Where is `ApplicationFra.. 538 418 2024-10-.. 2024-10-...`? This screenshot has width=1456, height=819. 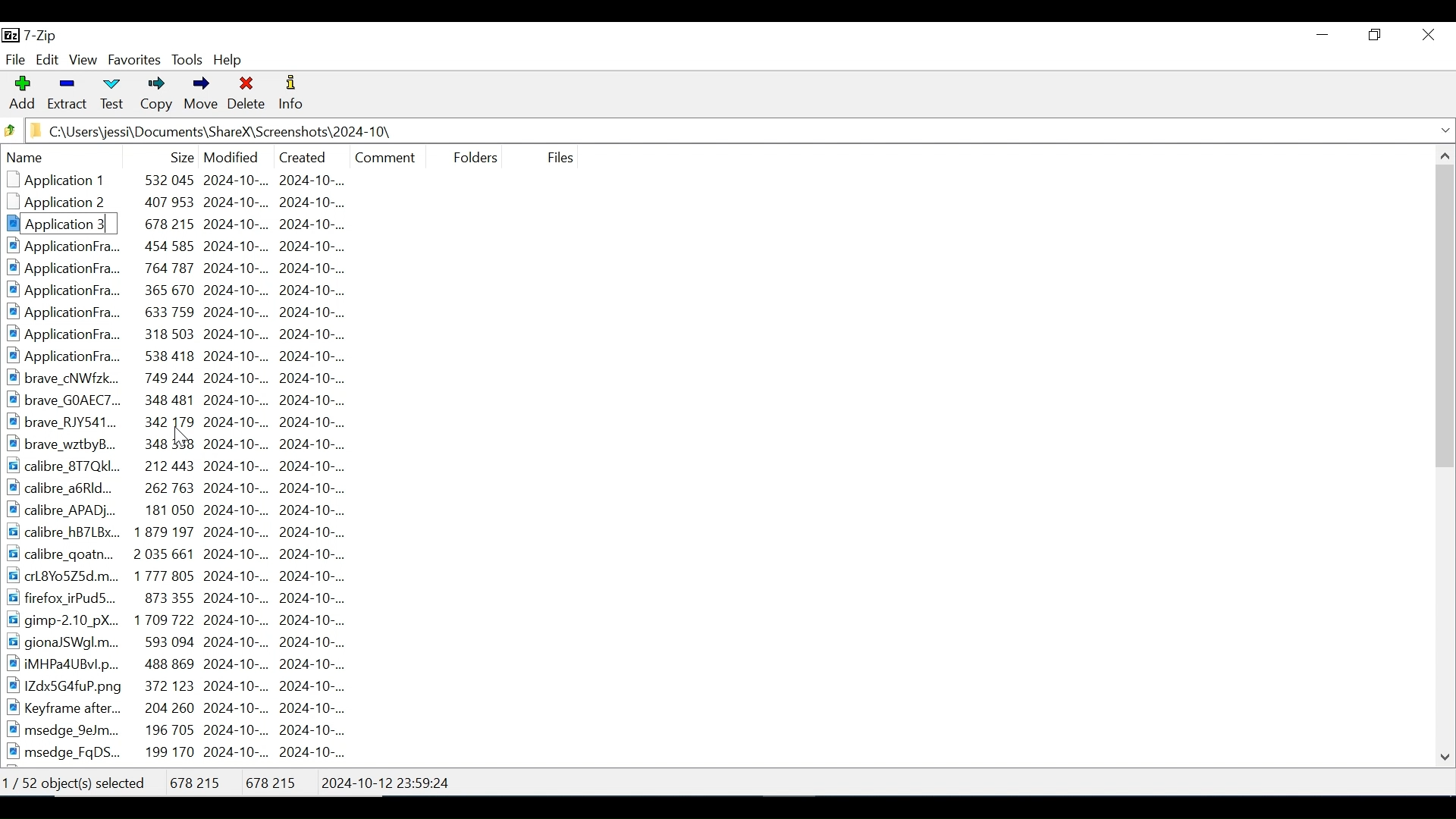 ApplicationFra.. 538 418 2024-10-.. 2024-10-... is located at coordinates (189, 356).